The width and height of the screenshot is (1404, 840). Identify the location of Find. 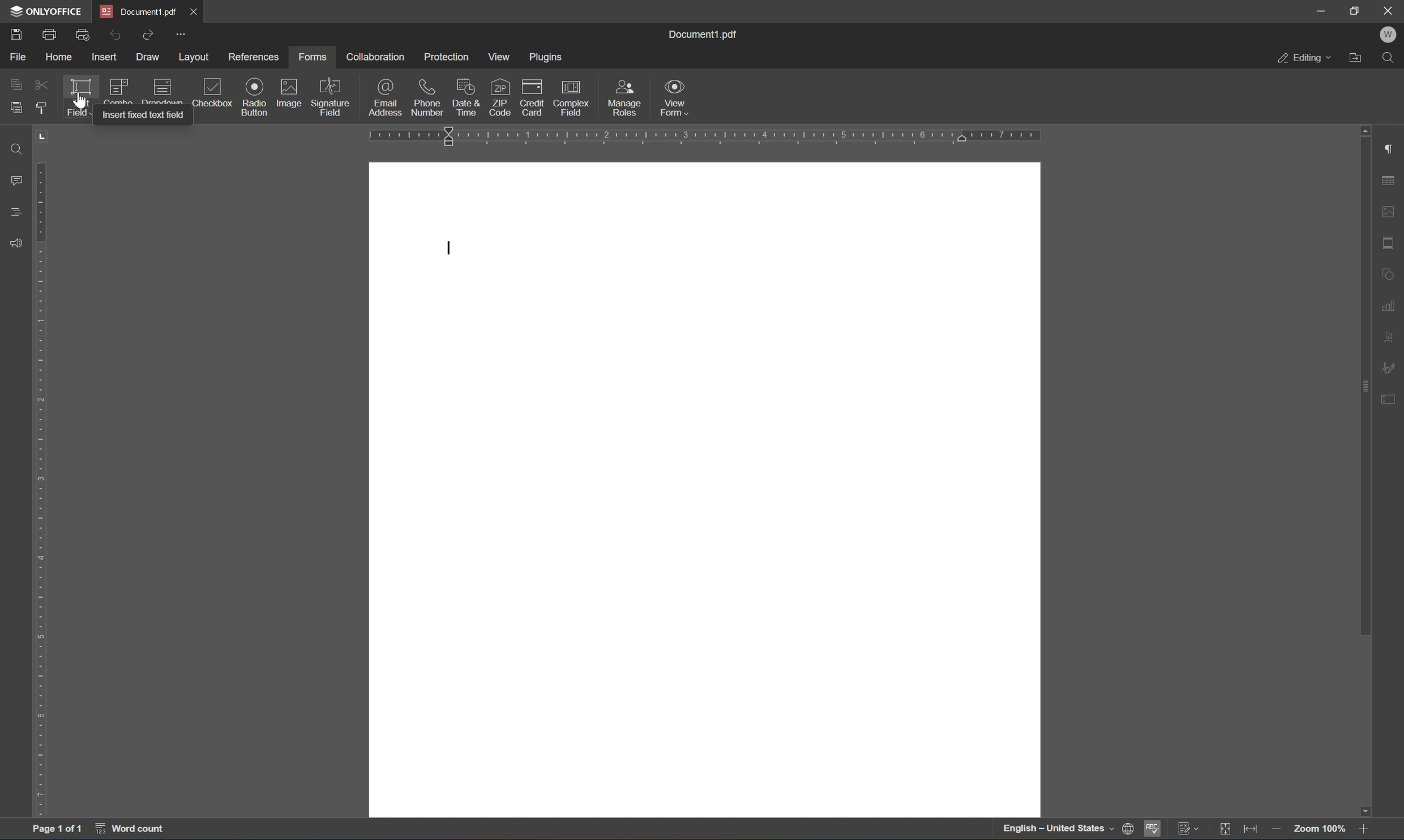
(1390, 60).